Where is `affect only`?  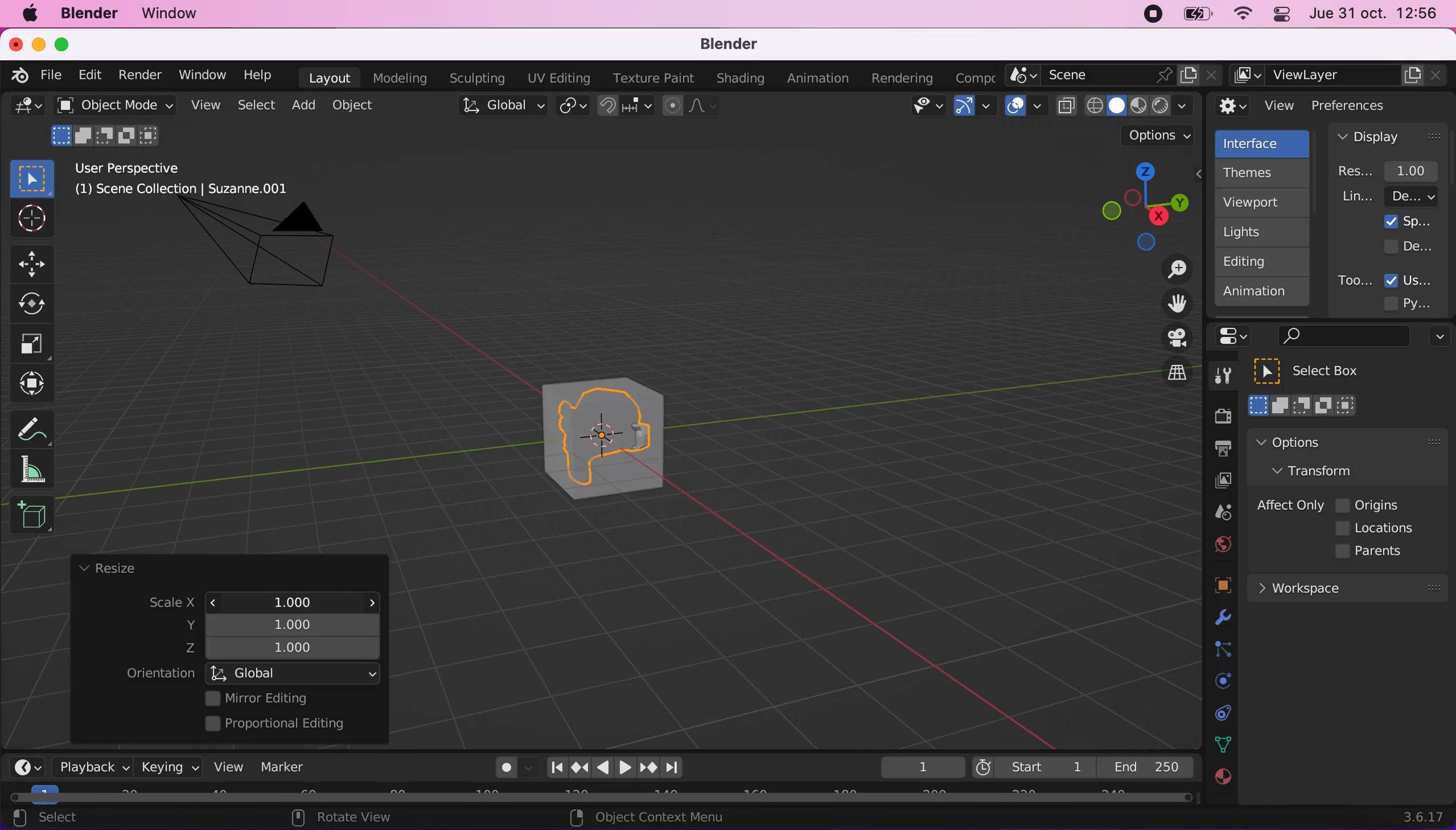
affect only is located at coordinates (1288, 505).